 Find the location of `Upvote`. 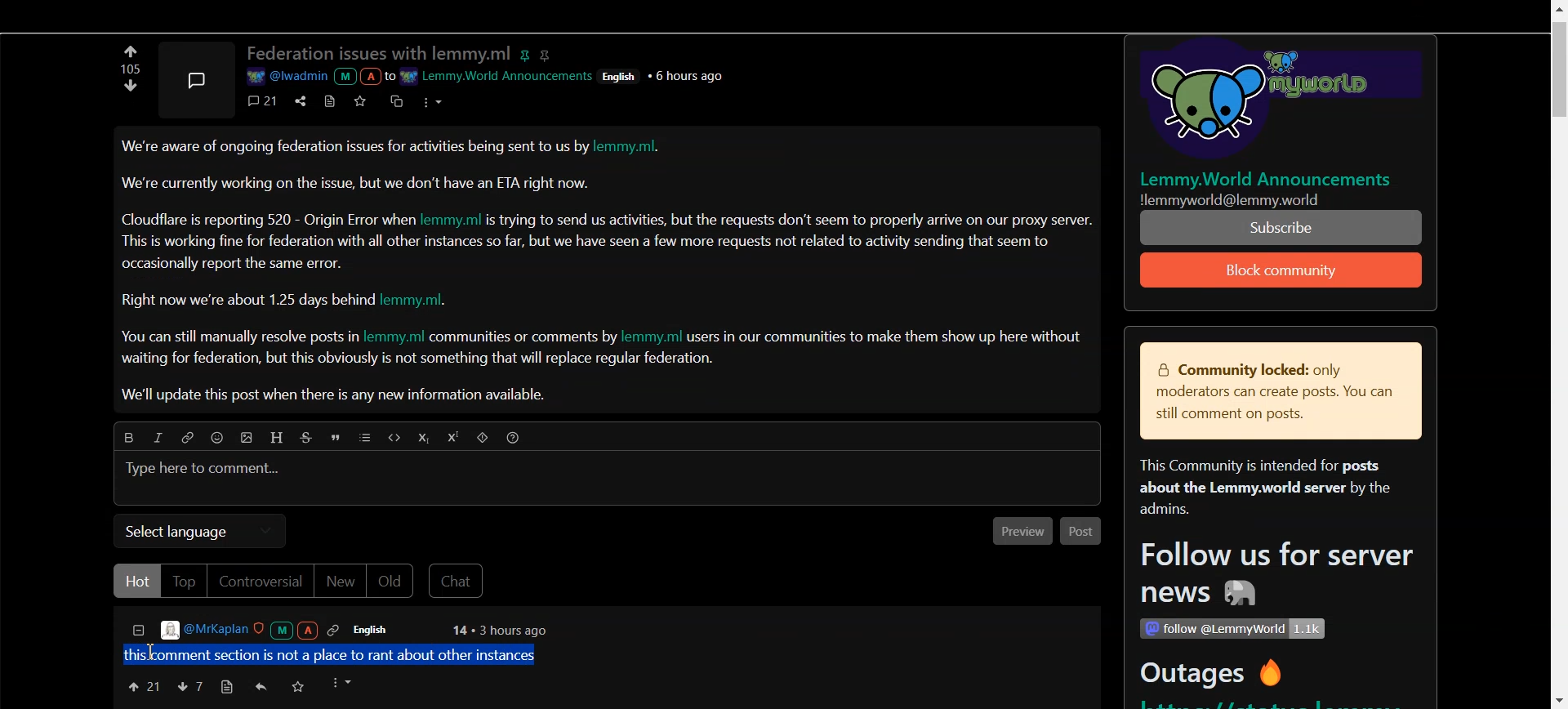

Upvote is located at coordinates (131, 91).